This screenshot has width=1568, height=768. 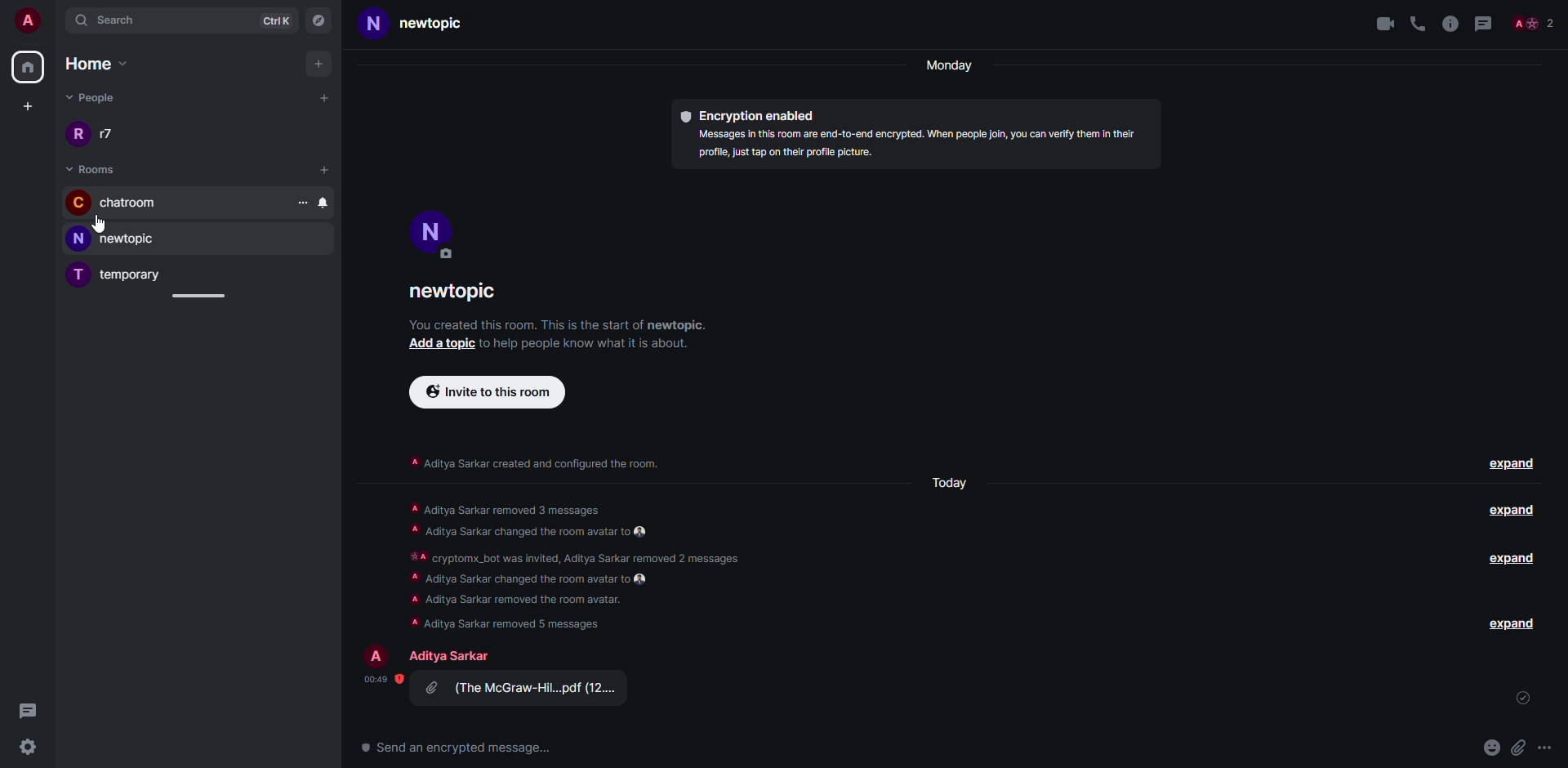 What do you see at coordinates (109, 19) in the screenshot?
I see `search` at bounding box center [109, 19].